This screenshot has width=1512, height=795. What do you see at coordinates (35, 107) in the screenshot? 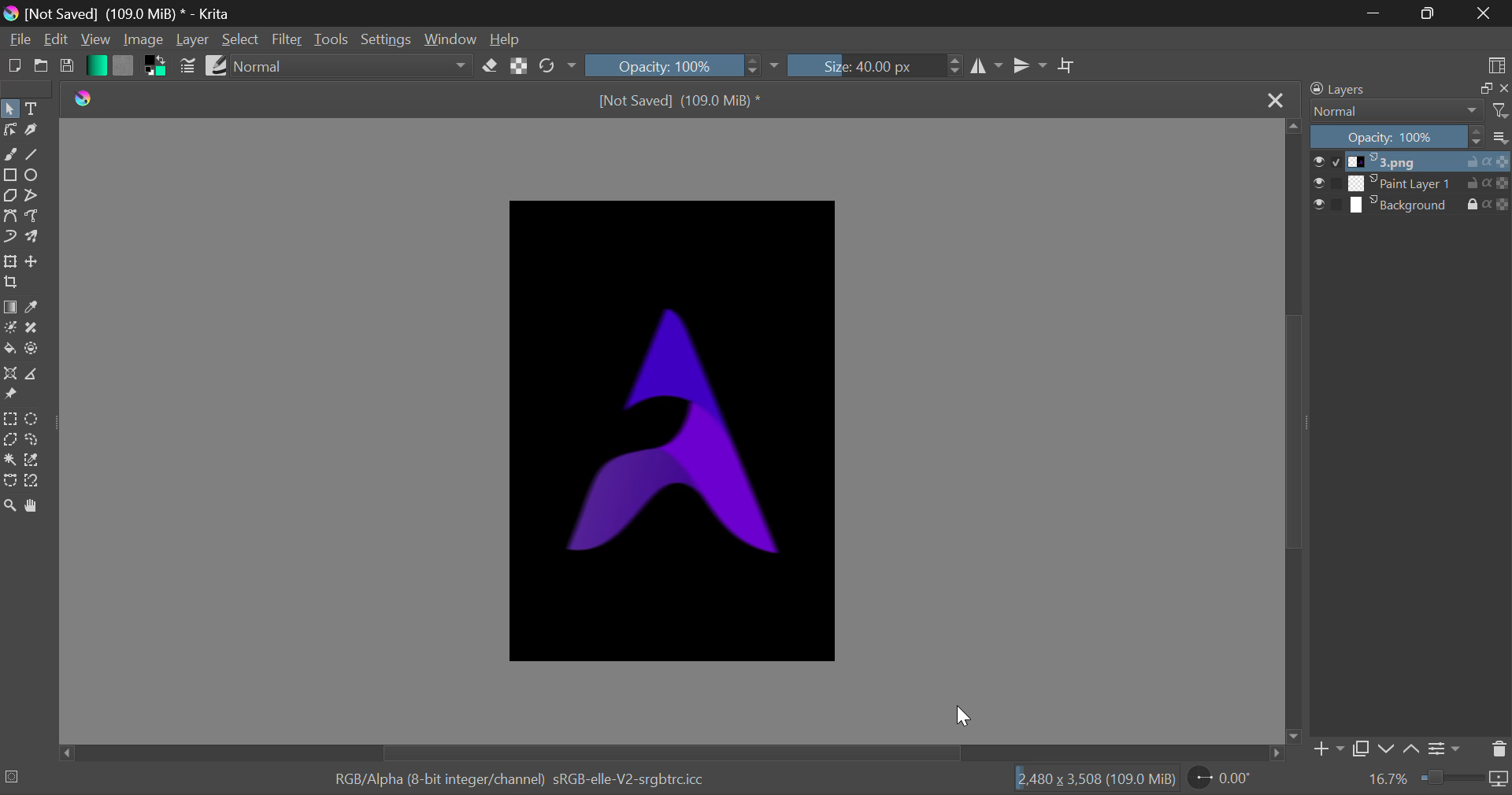
I see `Text` at bounding box center [35, 107].